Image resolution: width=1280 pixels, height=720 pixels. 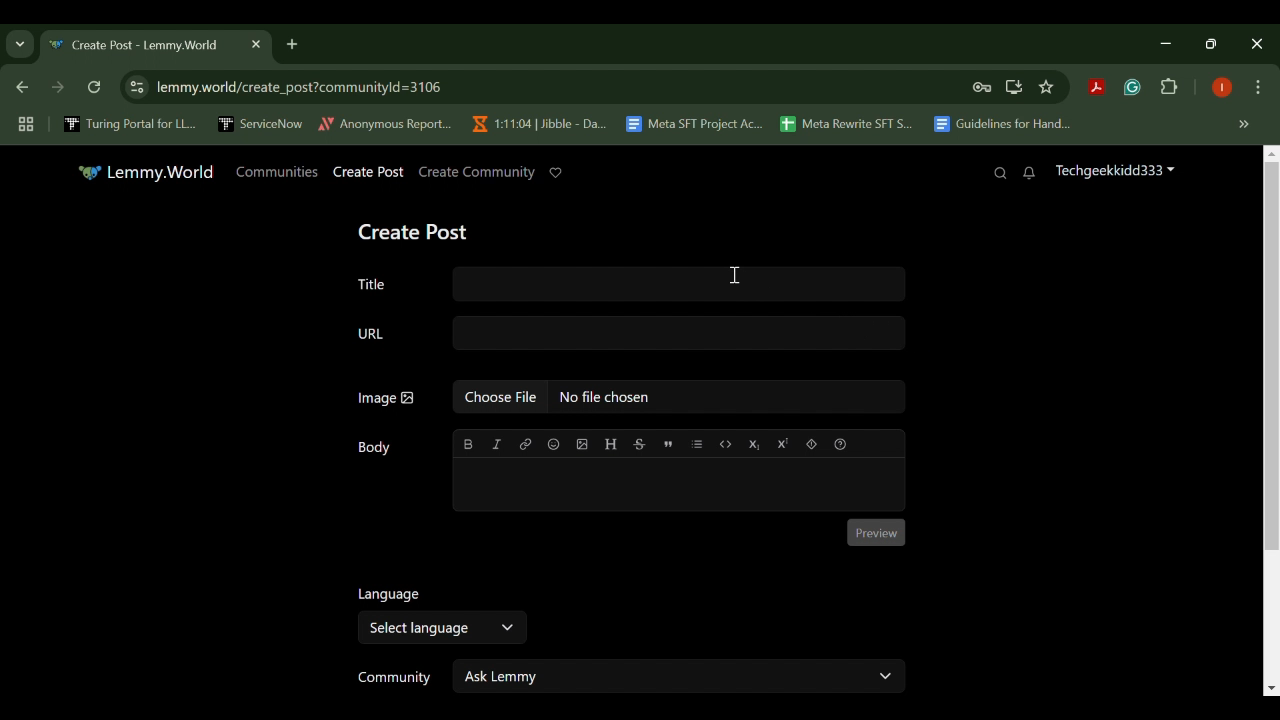 I want to click on strikethrough, so click(x=639, y=443).